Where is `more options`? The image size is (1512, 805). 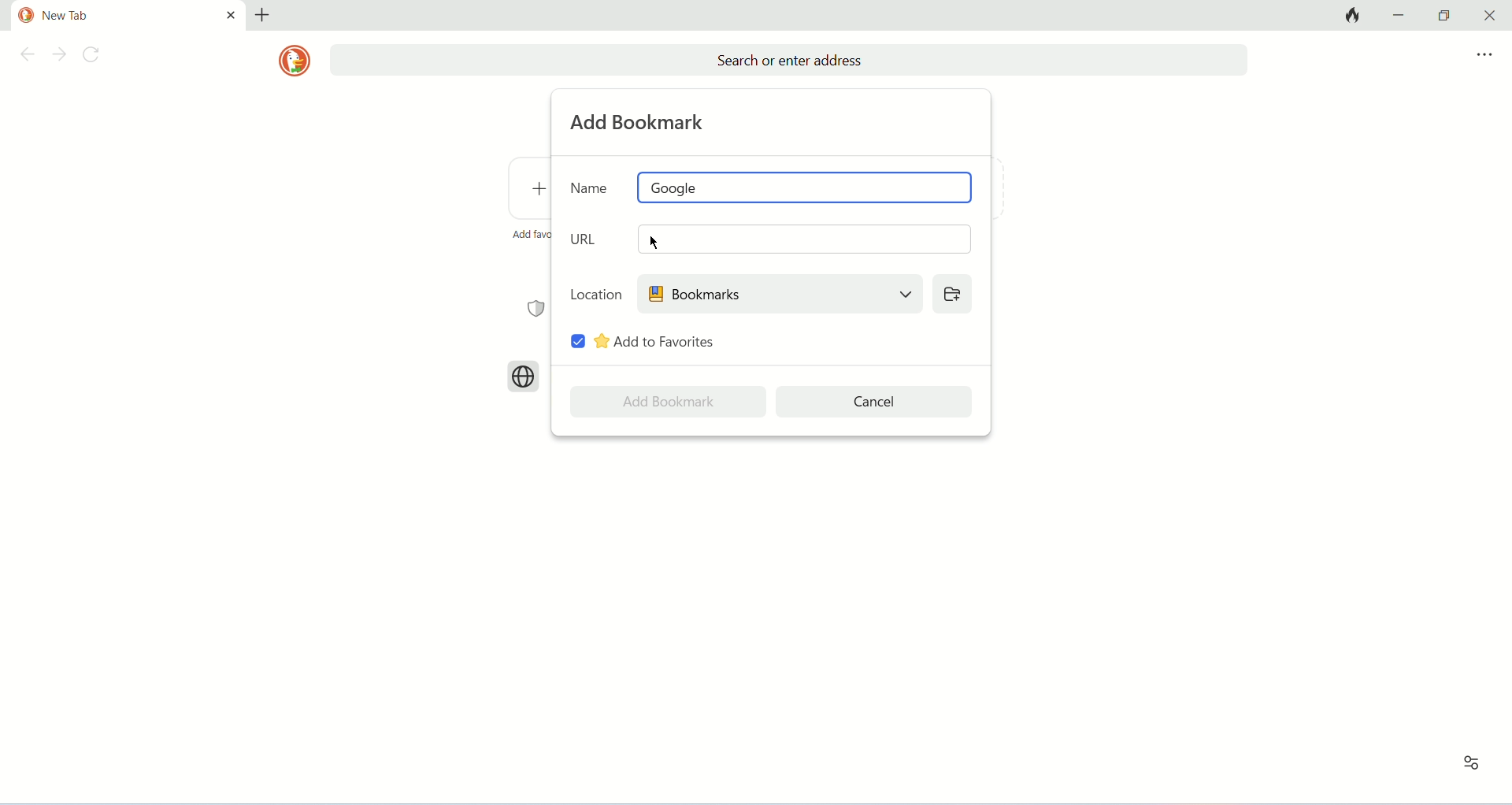
more options is located at coordinates (1484, 55).